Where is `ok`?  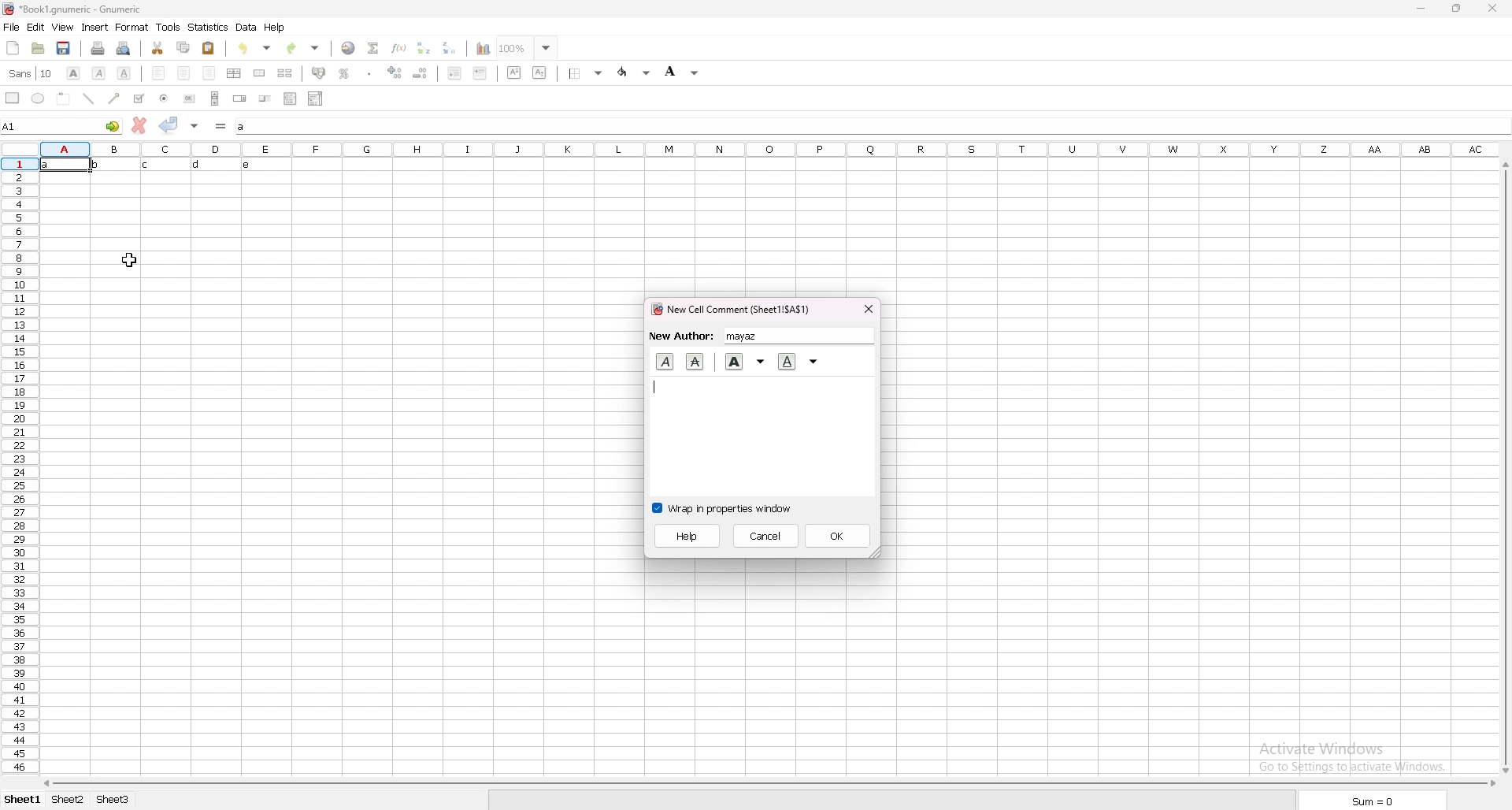 ok is located at coordinates (839, 535).